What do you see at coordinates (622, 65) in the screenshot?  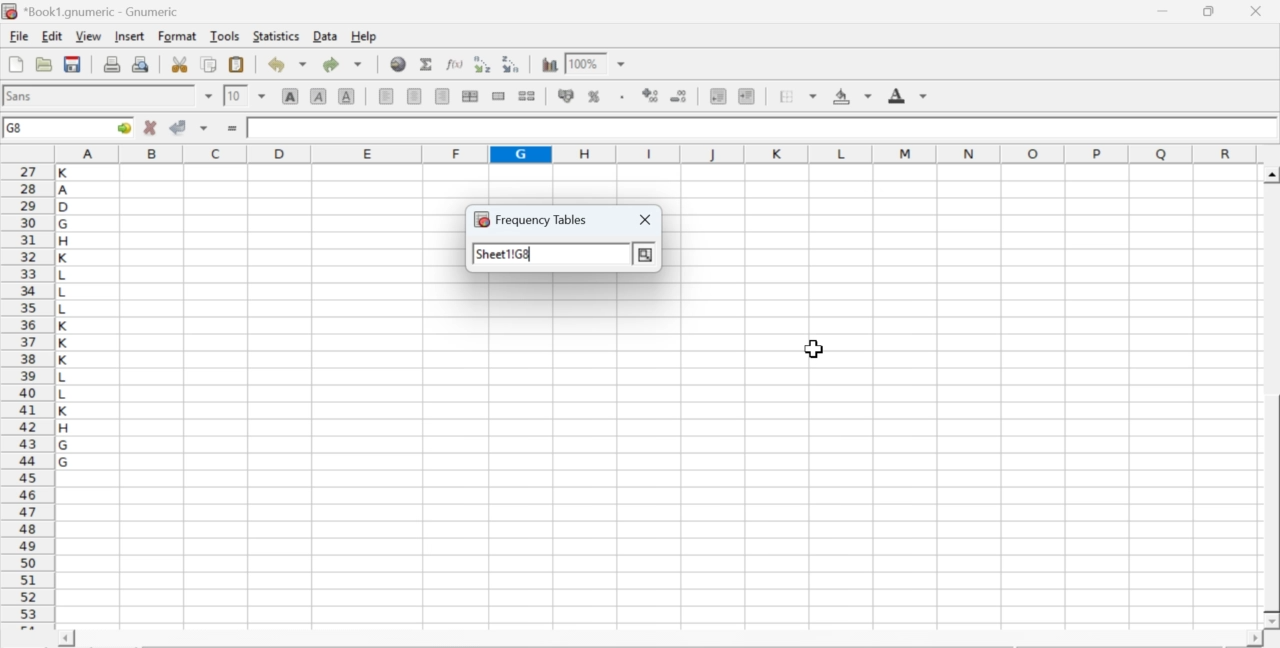 I see `drop down` at bounding box center [622, 65].